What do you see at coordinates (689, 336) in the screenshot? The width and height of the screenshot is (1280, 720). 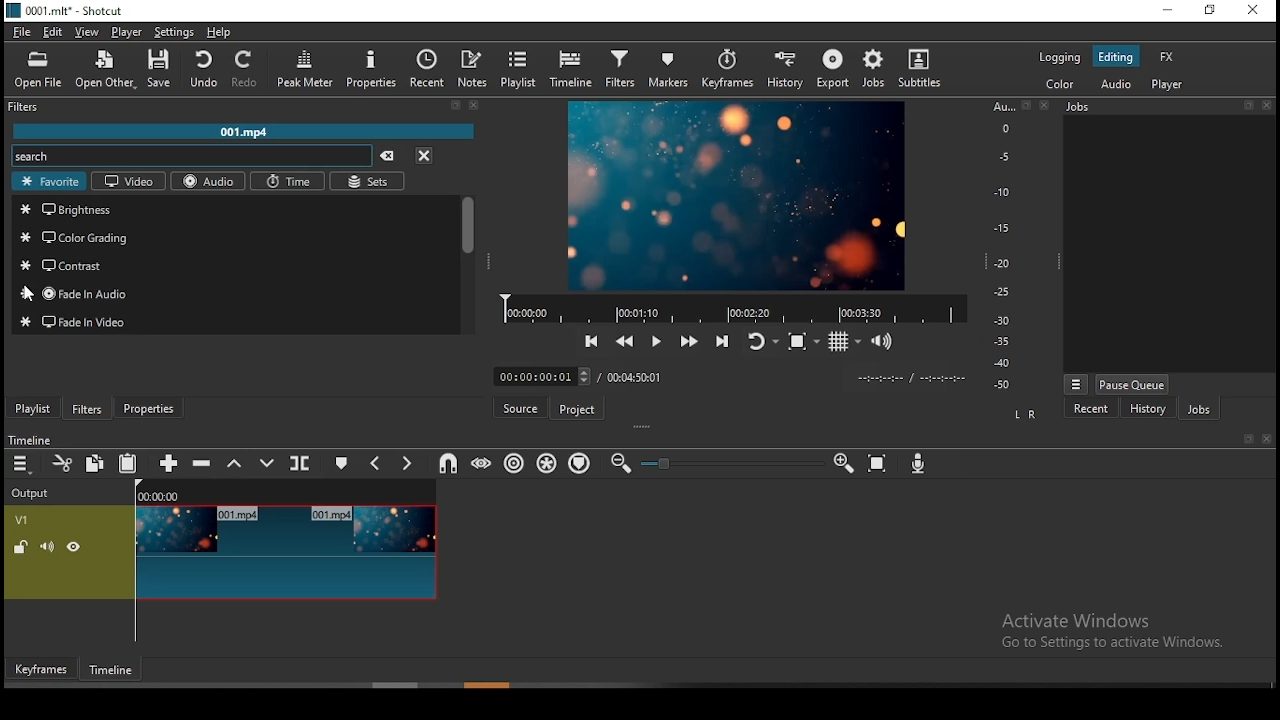 I see `play quickly forward` at bounding box center [689, 336].